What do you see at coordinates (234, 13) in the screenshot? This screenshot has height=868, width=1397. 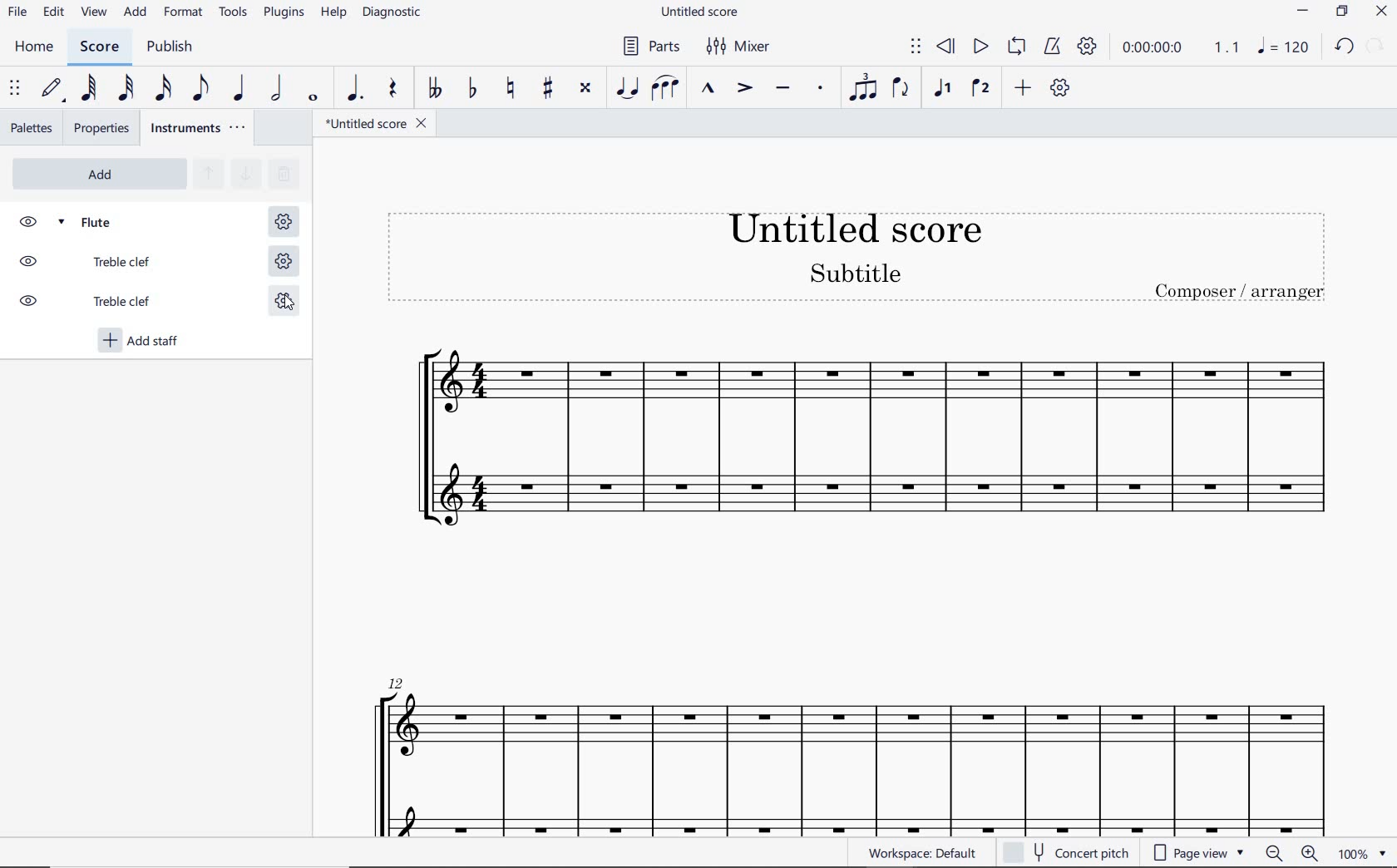 I see `TOOLS` at bounding box center [234, 13].